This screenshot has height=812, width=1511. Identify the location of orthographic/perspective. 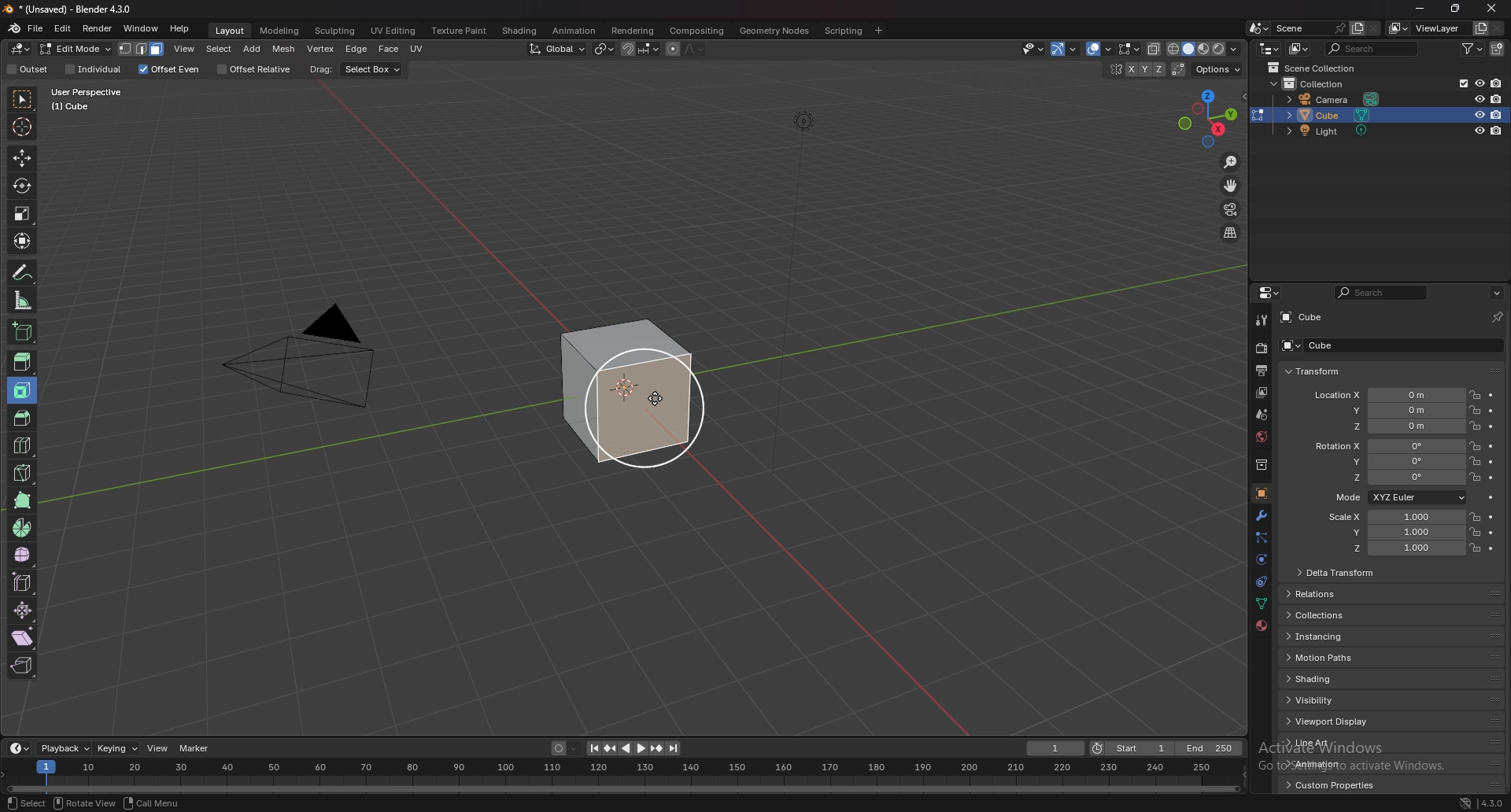
(1231, 234).